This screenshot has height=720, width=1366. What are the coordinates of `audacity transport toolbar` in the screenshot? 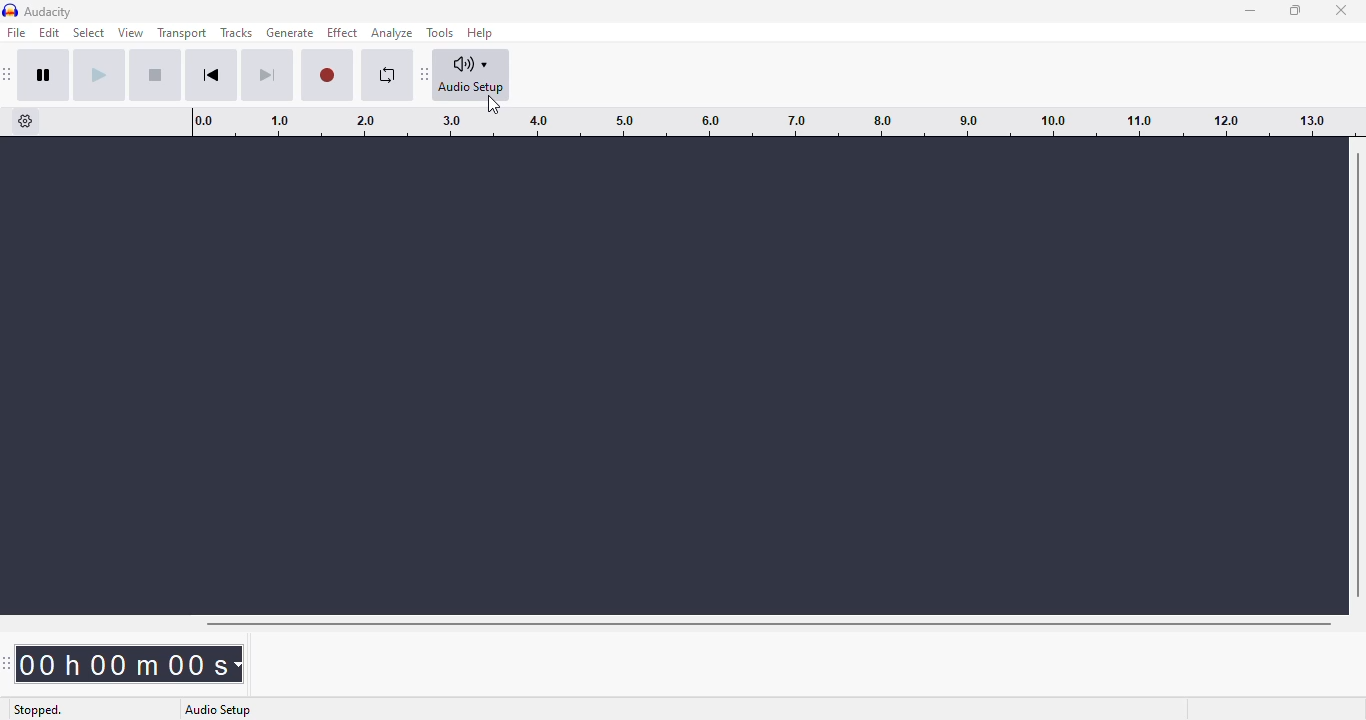 It's located at (8, 74).